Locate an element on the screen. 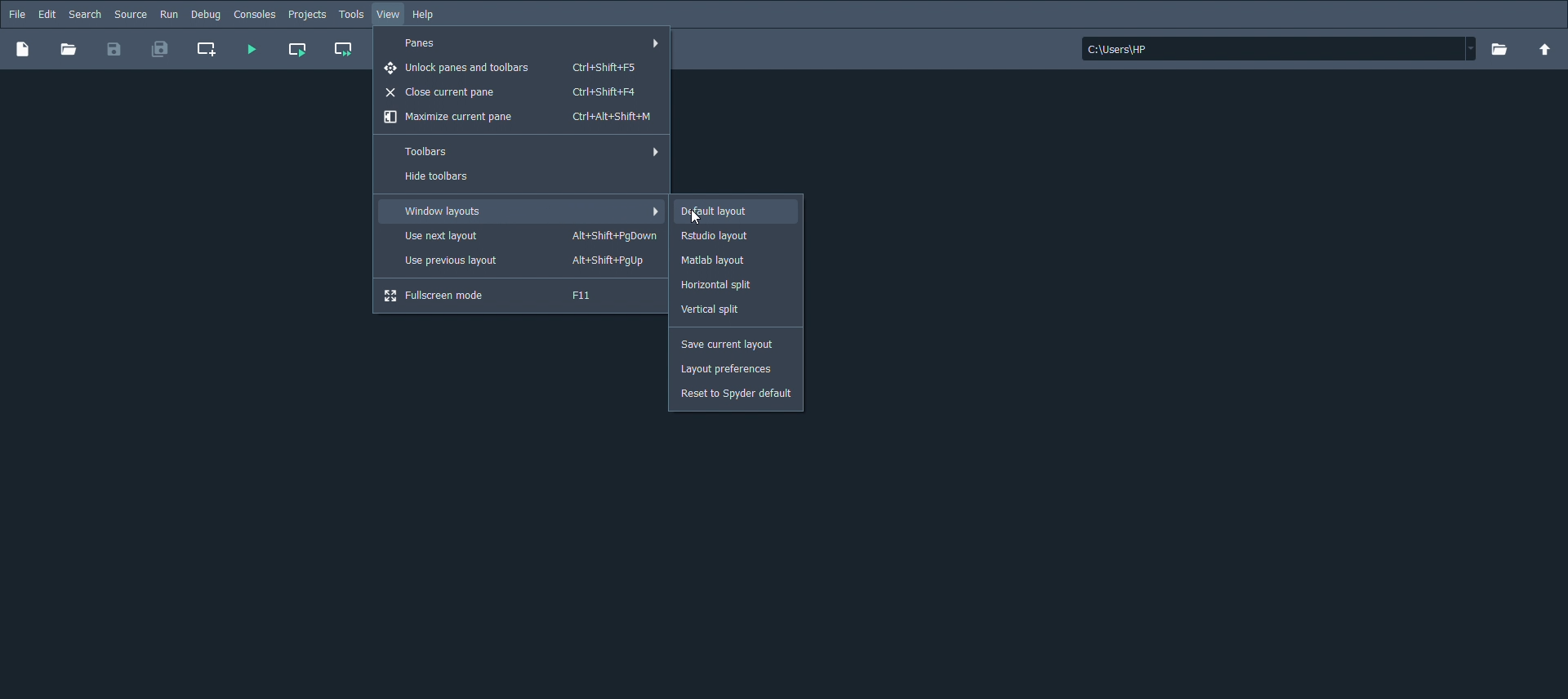 This screenshot has height=699, width=1568. Run current cell and go to the next one is located at coordinates (342, 48).